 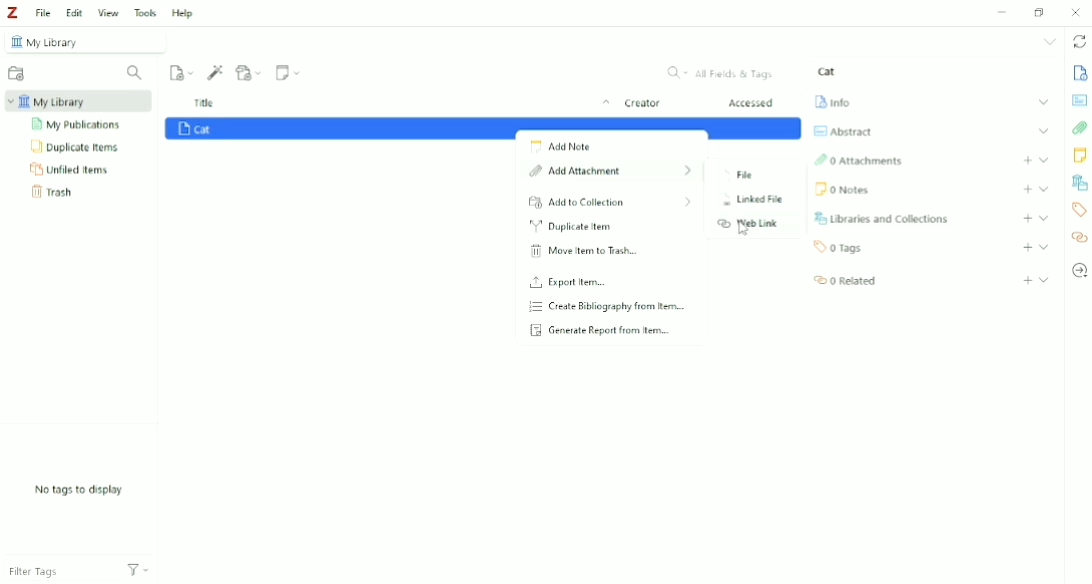 I want to click on All Fields & Tags, so click(x=722, y=73).